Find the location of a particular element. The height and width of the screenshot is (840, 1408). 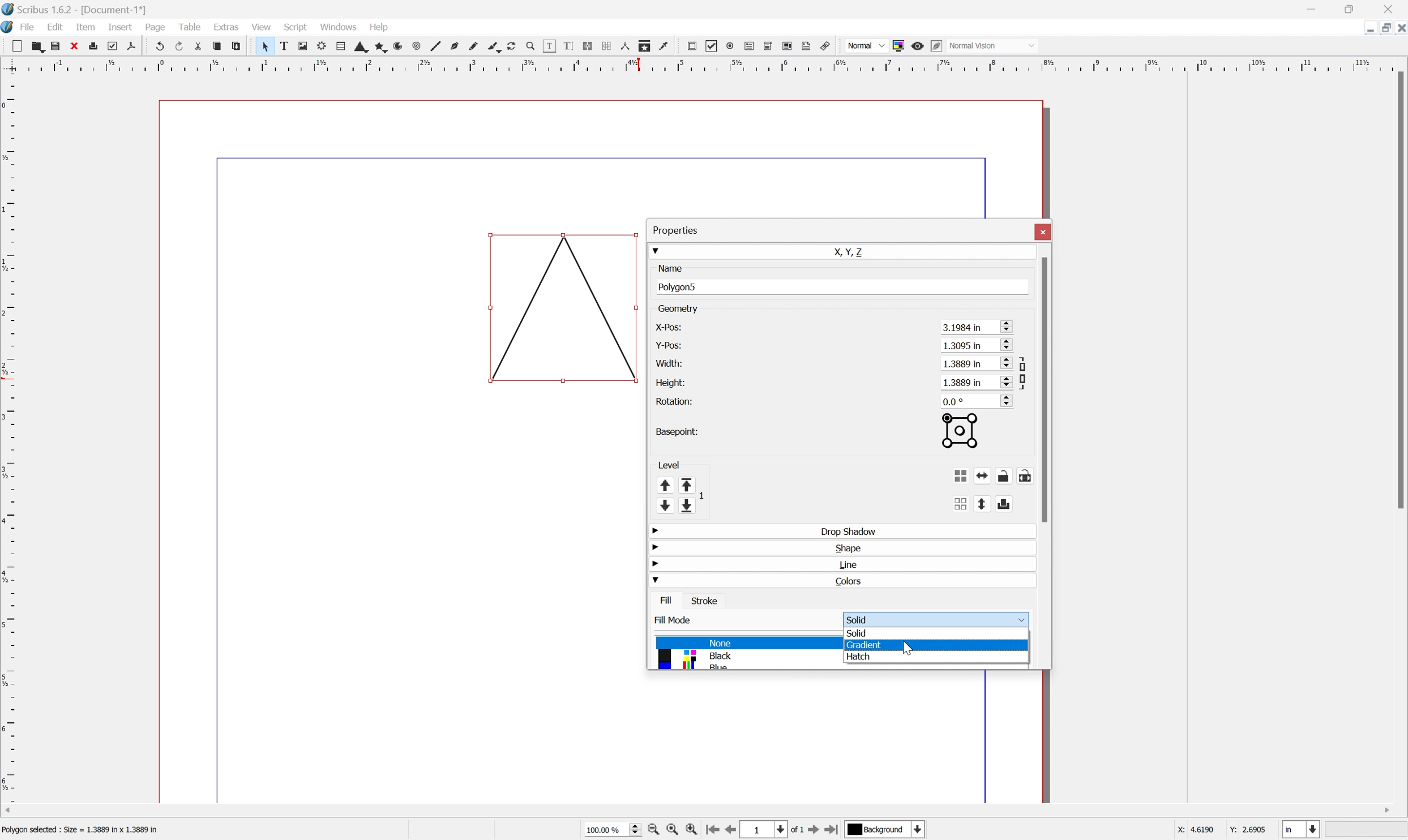

Rotate item is located at coordinates (515, 46).